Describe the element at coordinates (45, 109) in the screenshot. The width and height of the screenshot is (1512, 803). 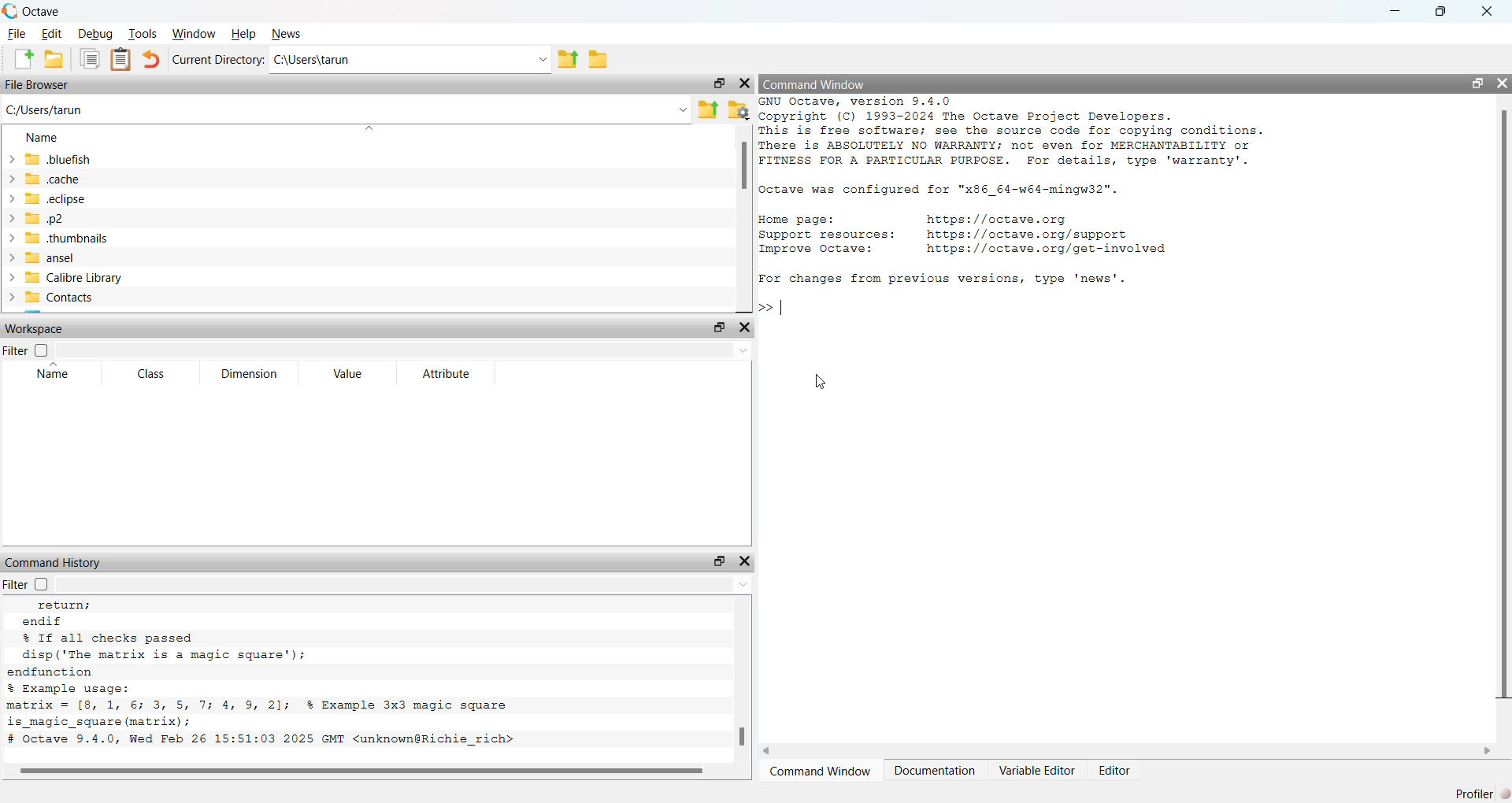
I see `C:\Users\tarun` at that location.